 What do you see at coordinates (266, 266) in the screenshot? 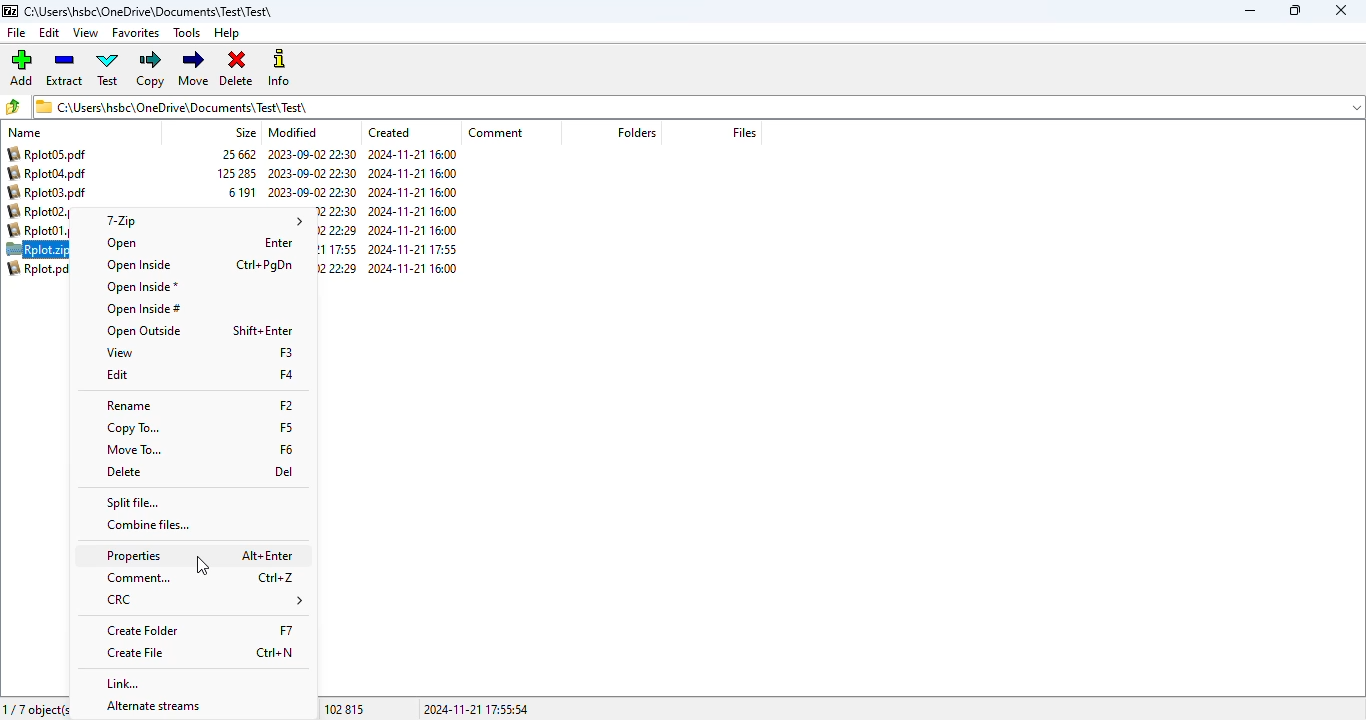
I see `Ctrl+PgDn` at bounding box center [266, 266].